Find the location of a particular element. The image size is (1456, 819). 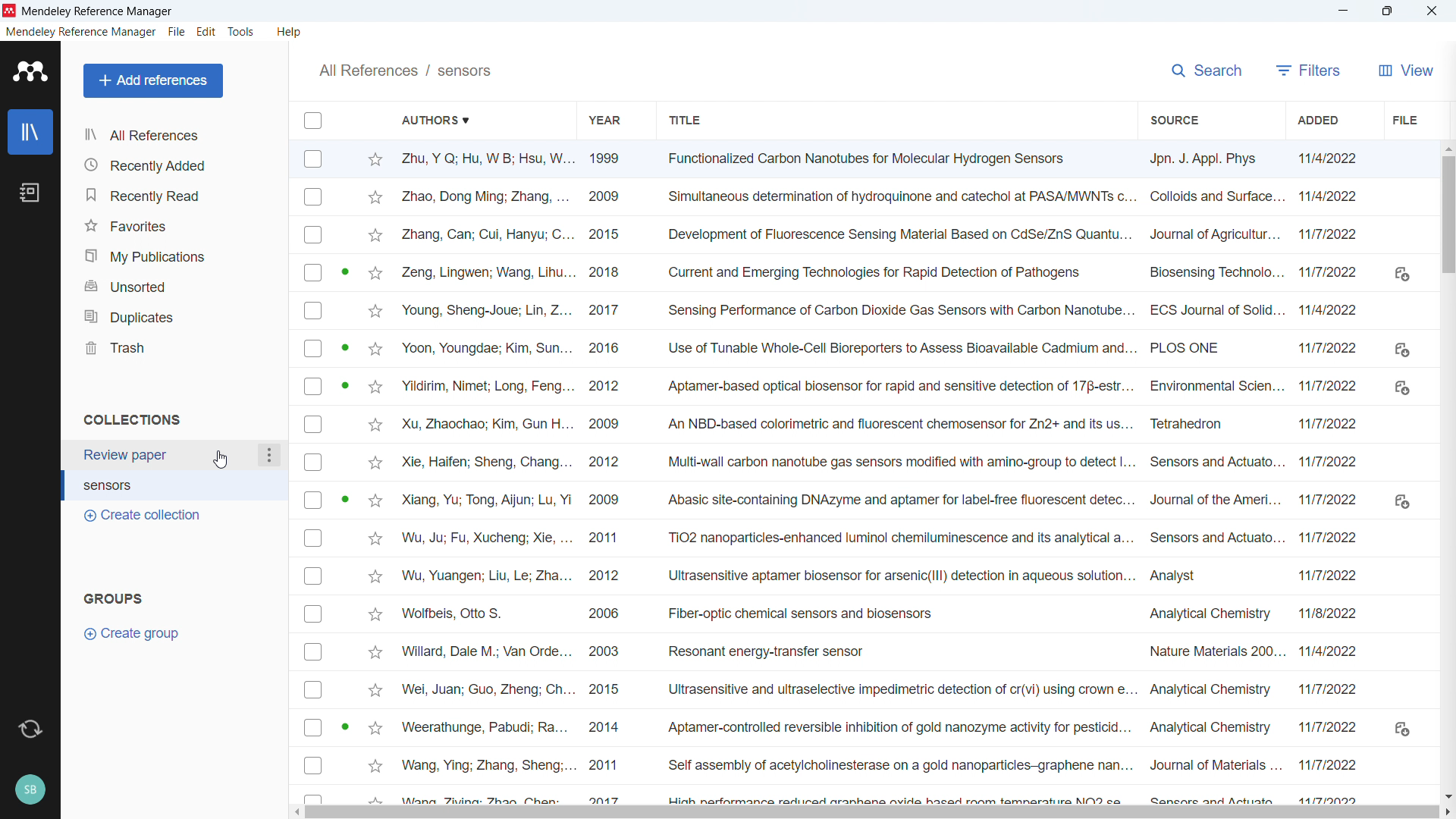

PDF available is located at coordinates (344, 346).